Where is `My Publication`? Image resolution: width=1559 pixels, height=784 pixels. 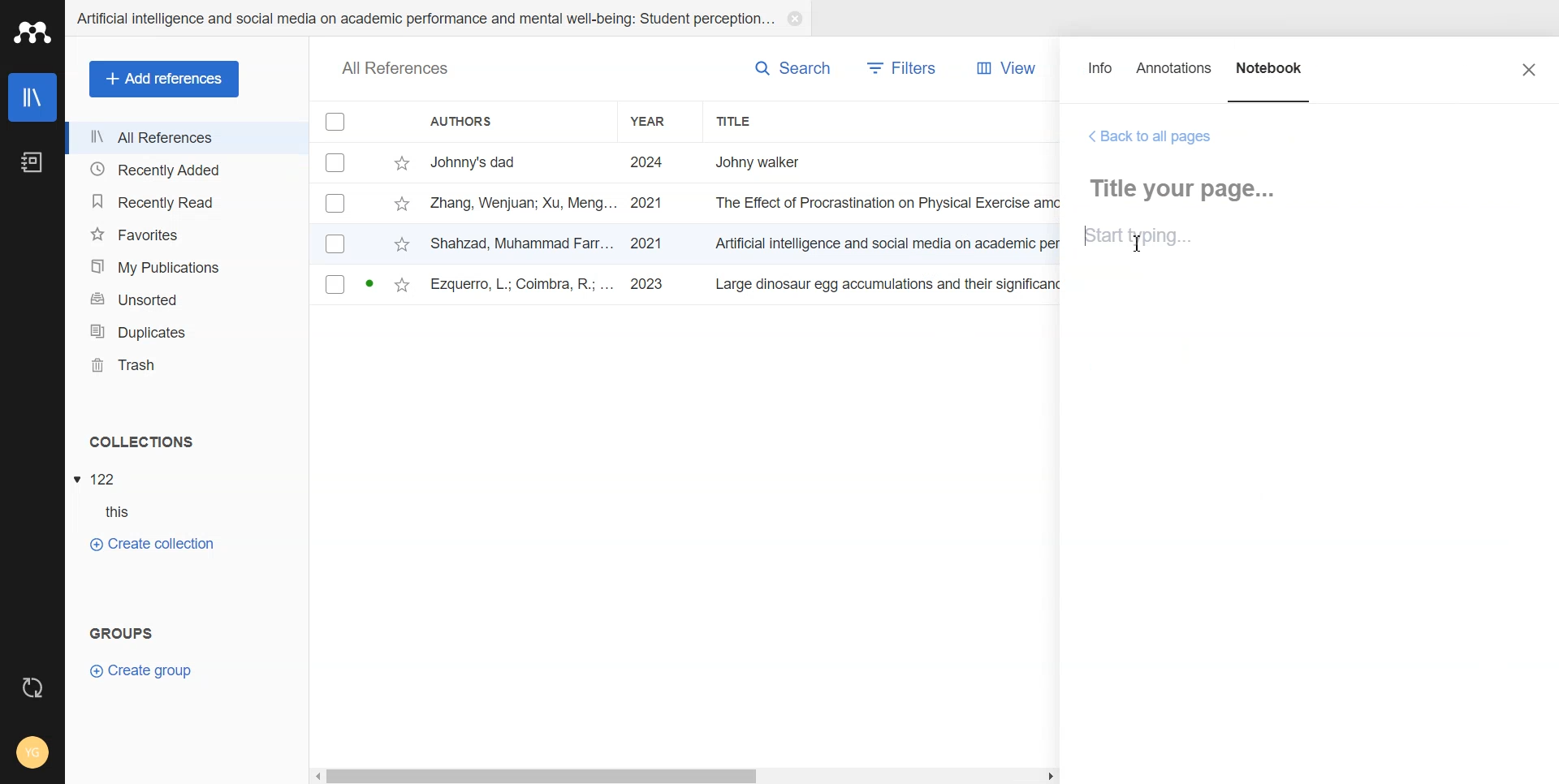 My Publication is located at coordinates (187, 267).